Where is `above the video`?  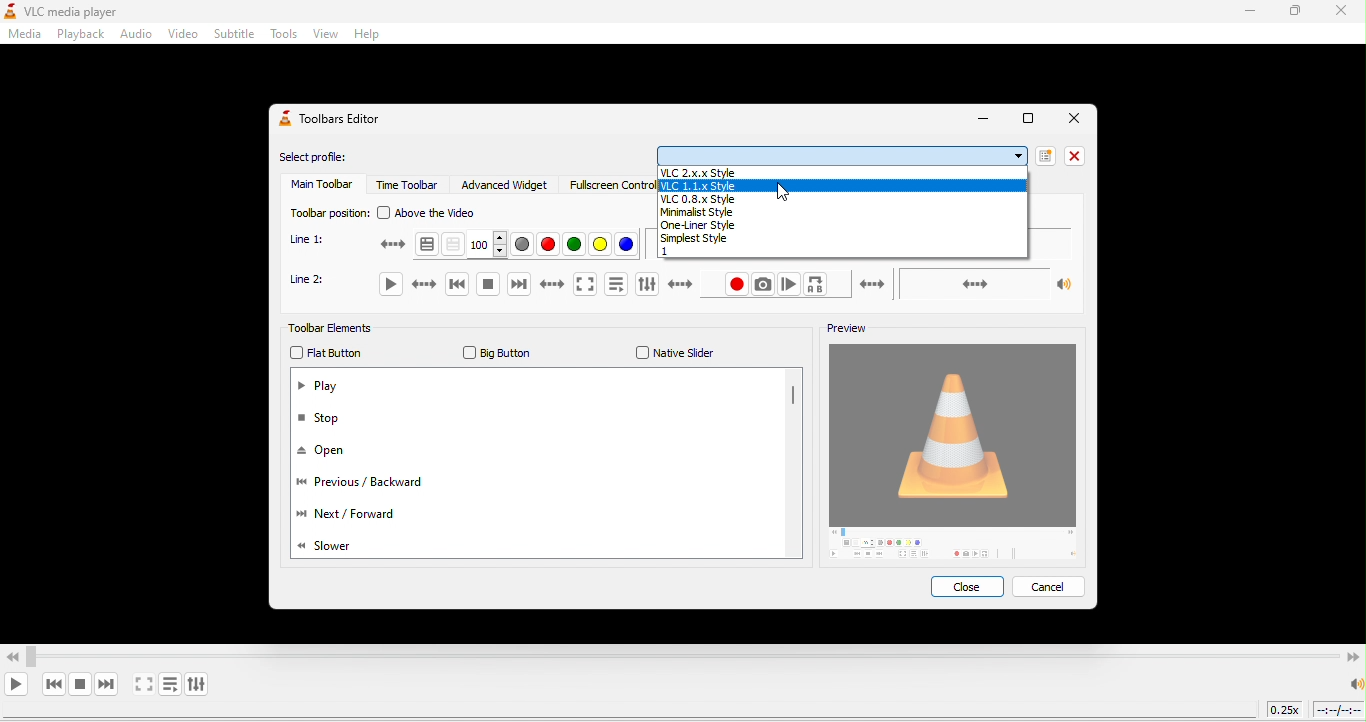
above the video is located at coordinates (434, 213).